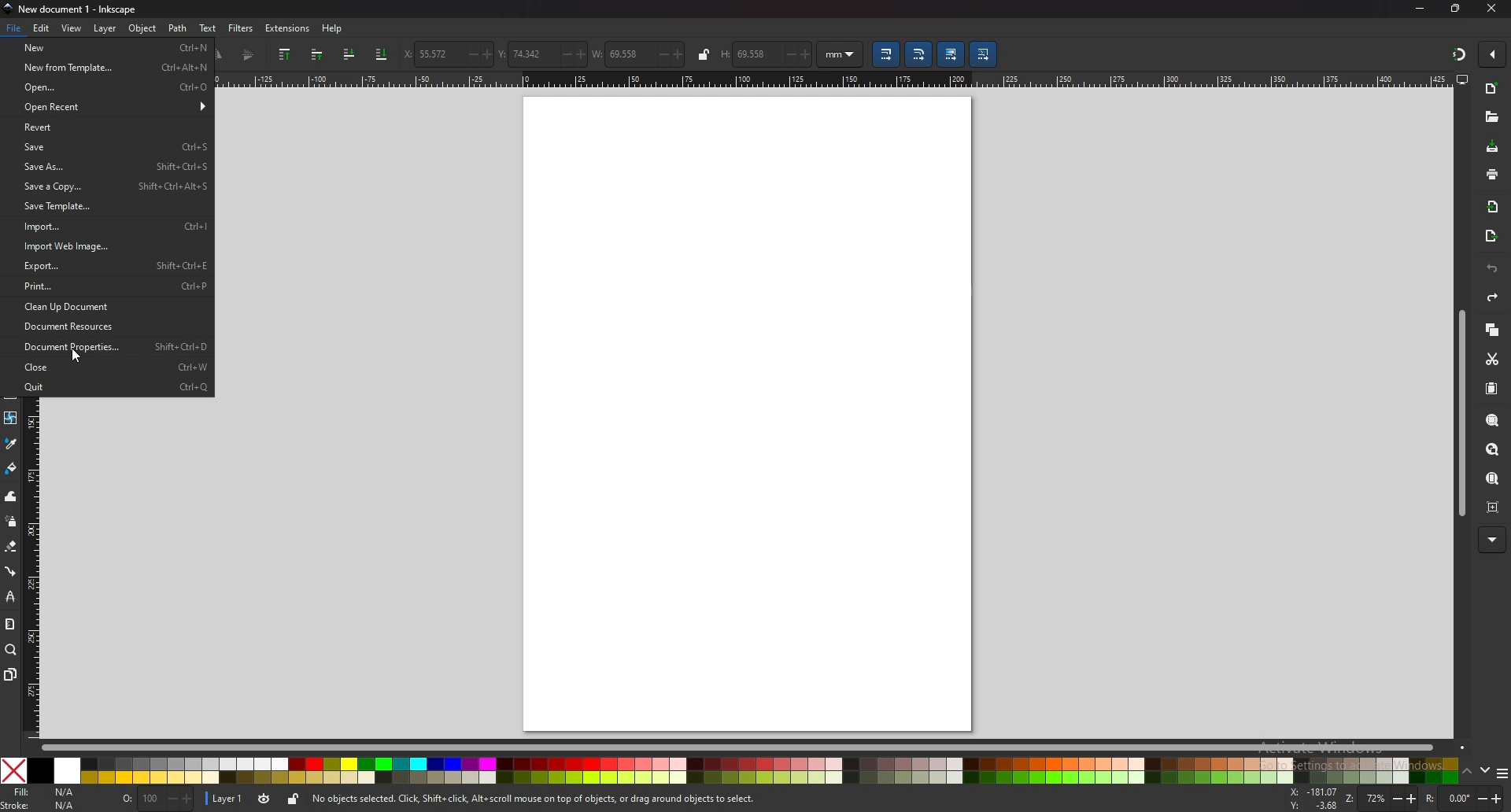 Image resolution: width=1511 pixels, height=812 pixels. Describe the element at coordinates (1494, 209) in the screenshot. I see `import` at that location.